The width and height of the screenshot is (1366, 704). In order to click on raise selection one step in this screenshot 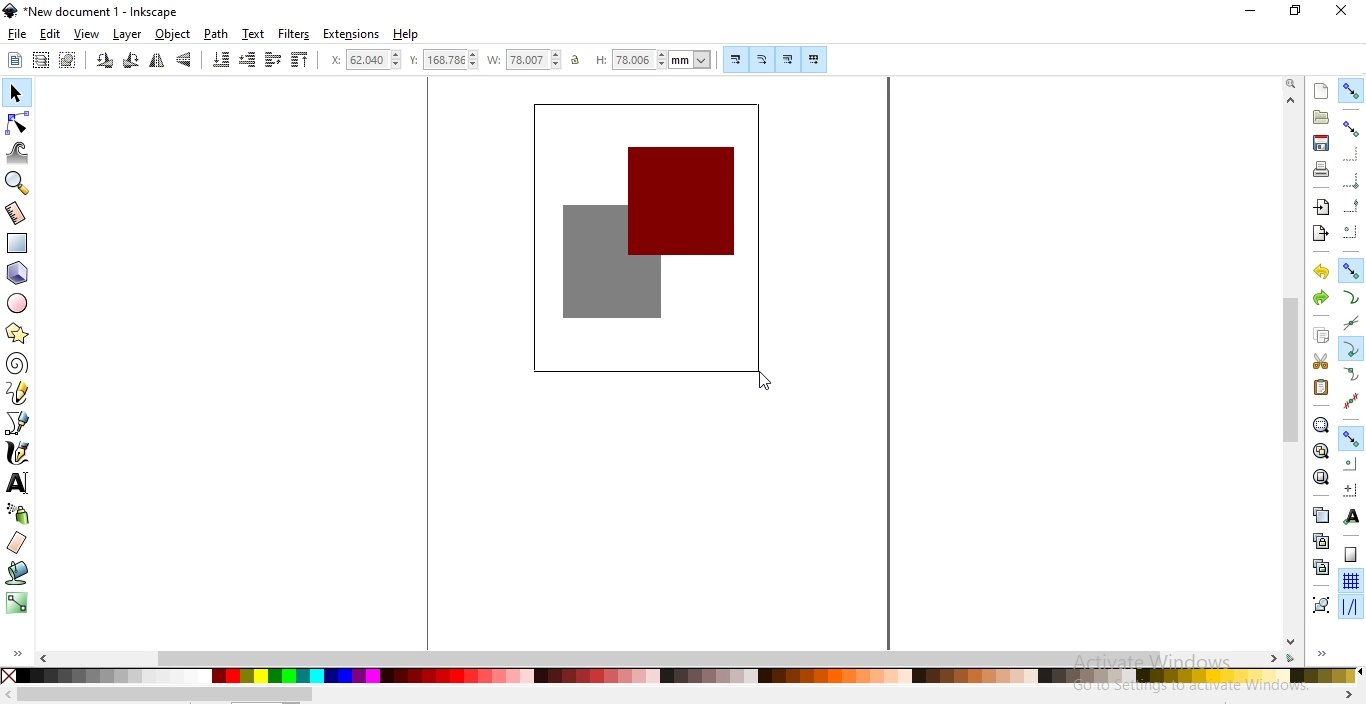, I will do `click(272, 59)`.